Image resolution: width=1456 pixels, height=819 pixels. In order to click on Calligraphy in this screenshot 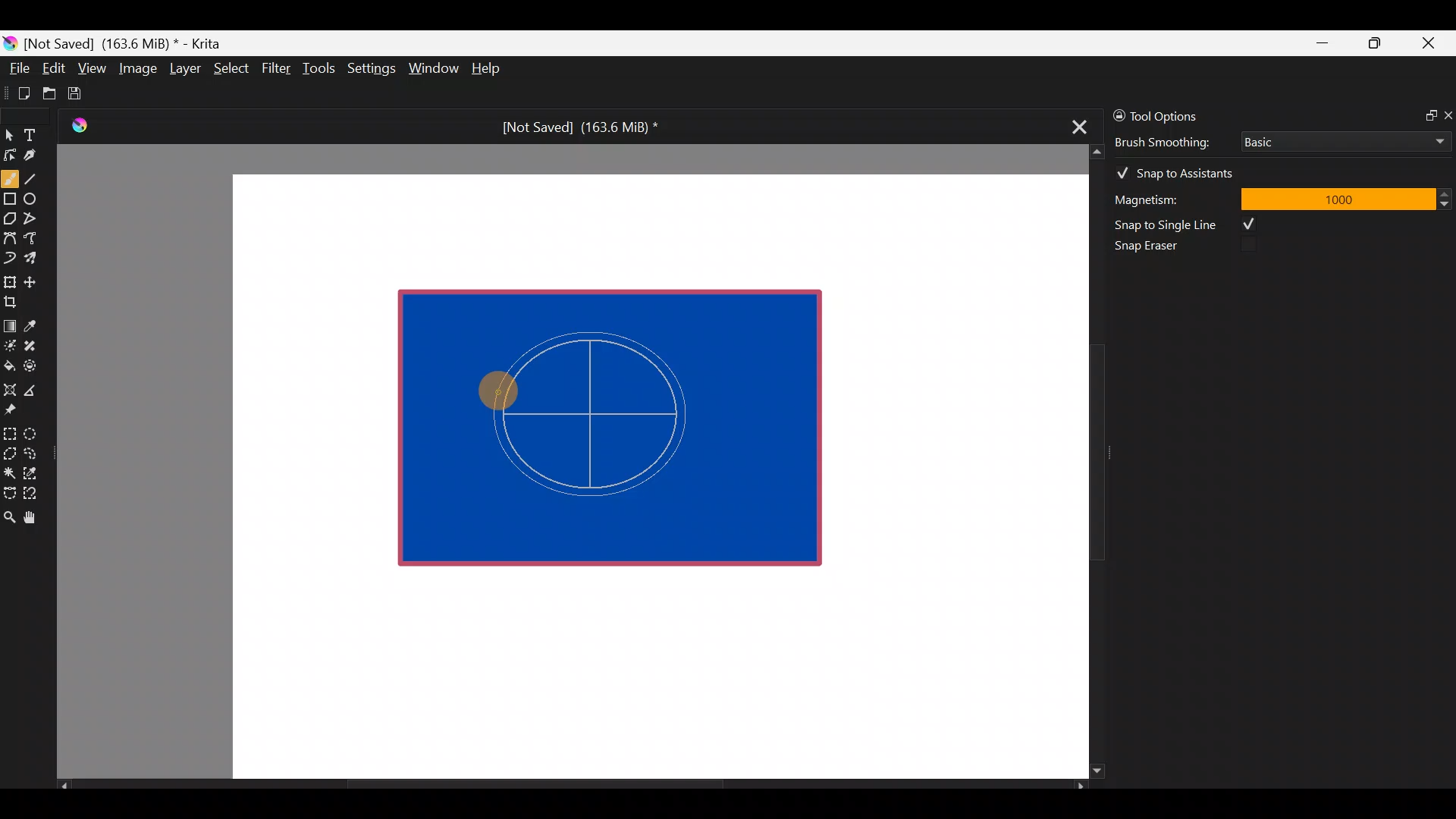, I will do `click(41, 158)`.